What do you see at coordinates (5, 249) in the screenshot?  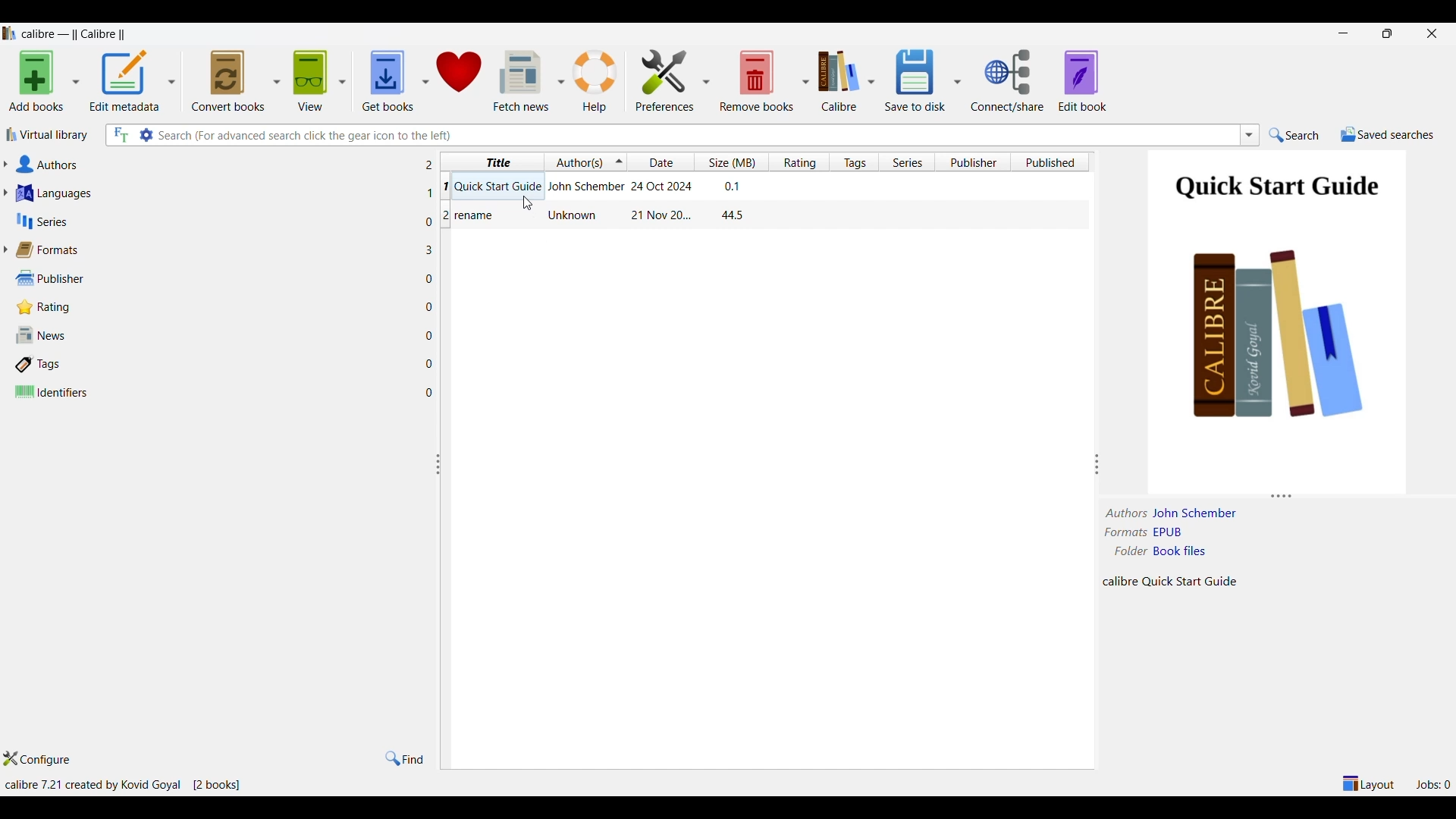 I see `Expand formats` at bounding box center [5, 249].